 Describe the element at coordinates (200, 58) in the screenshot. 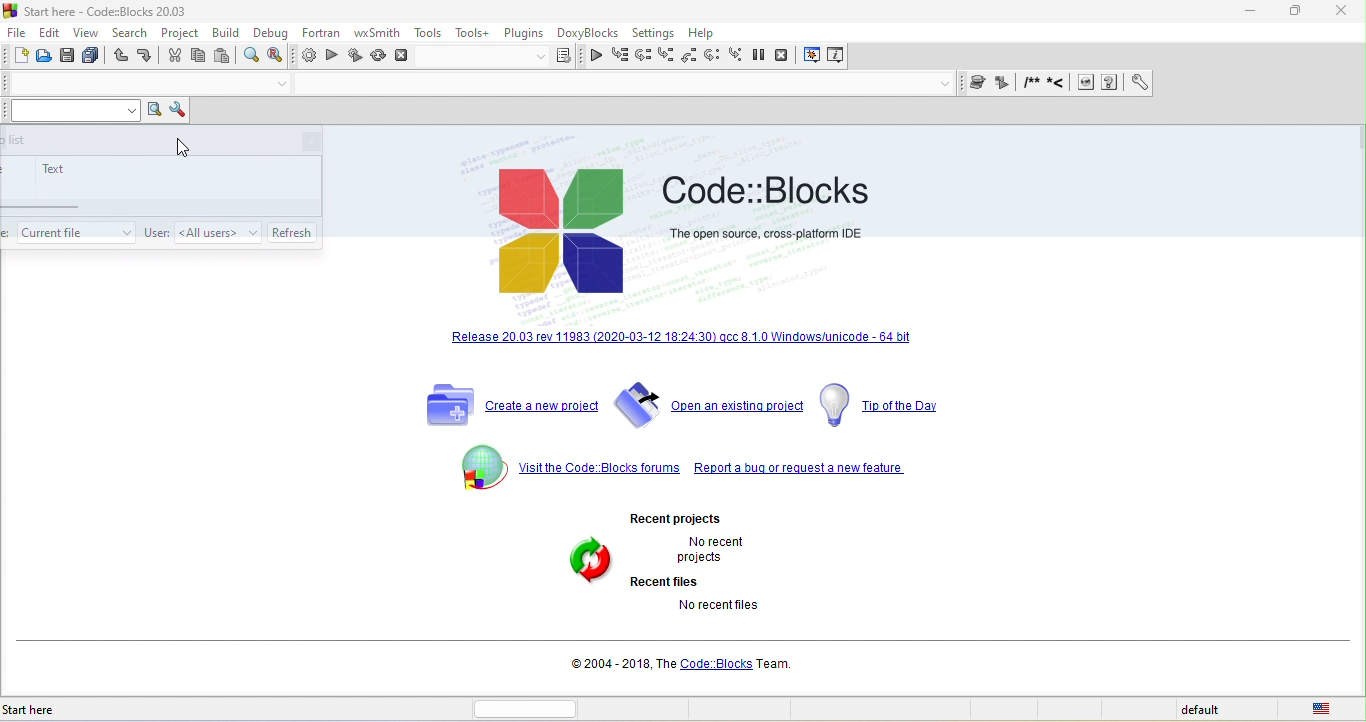

I see `copy` at that location.